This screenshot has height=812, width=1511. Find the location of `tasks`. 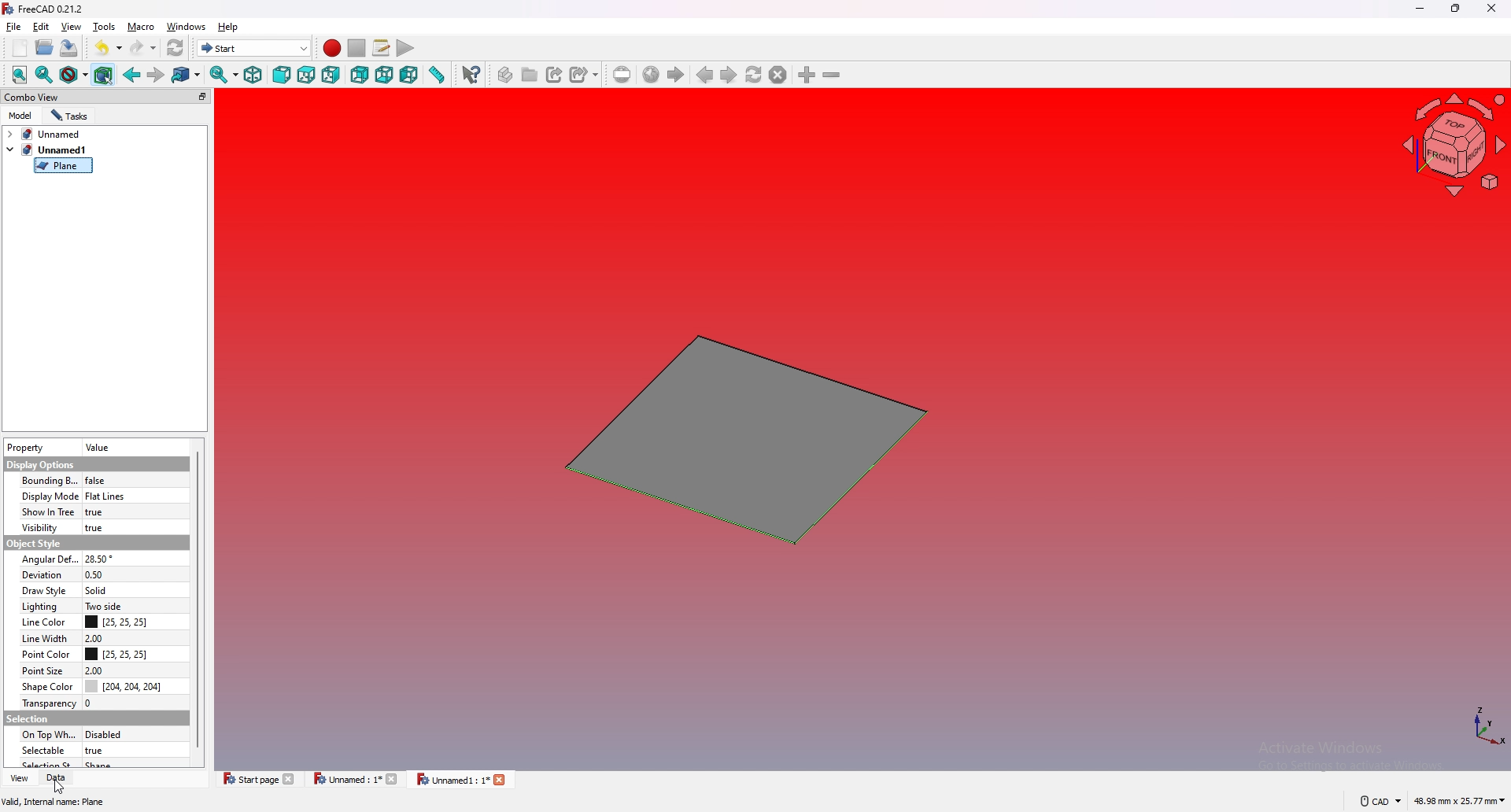

tasks is located at coordinates (70, 116).